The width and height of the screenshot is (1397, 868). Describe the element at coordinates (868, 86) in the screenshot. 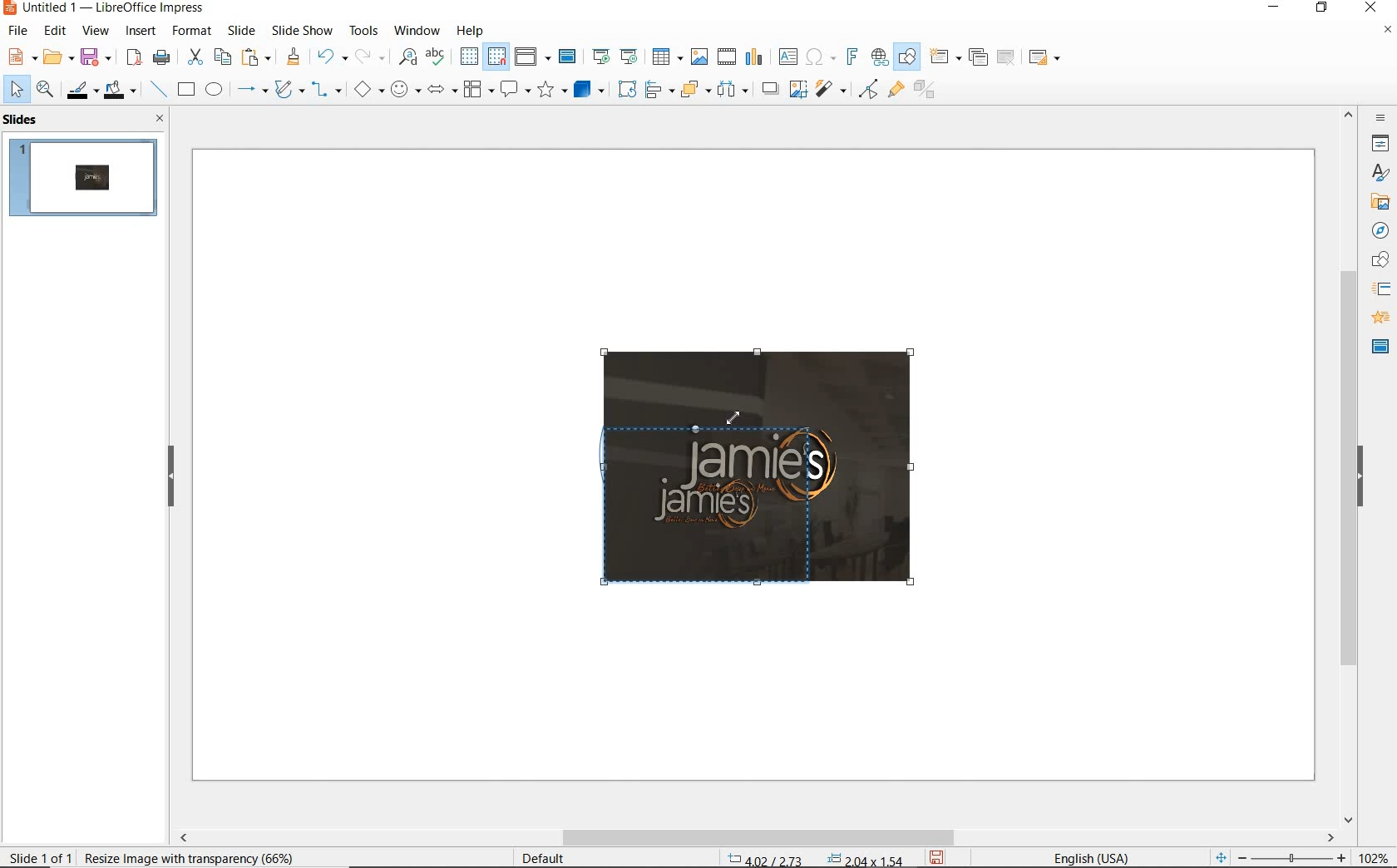

I see `filter` at that location.